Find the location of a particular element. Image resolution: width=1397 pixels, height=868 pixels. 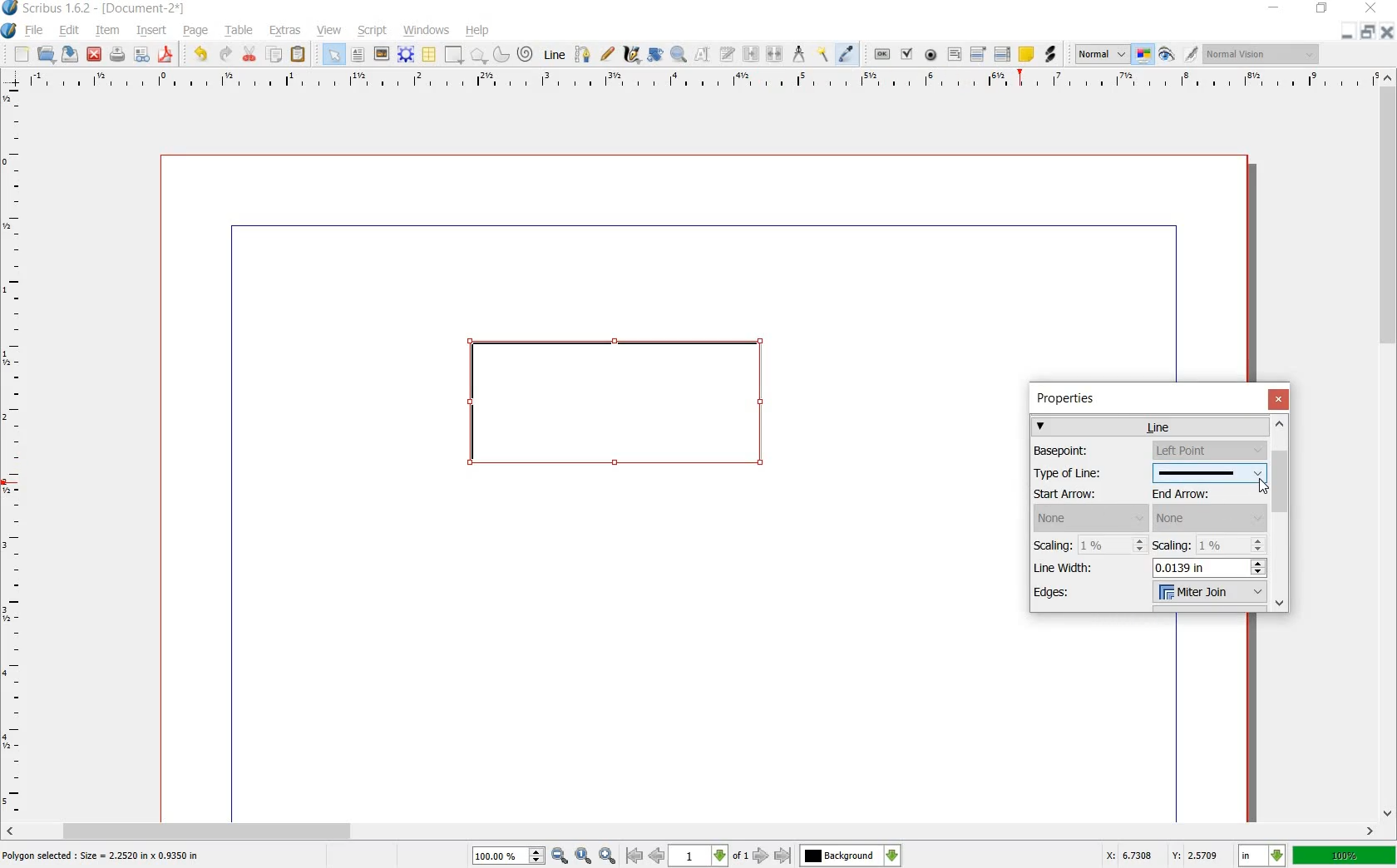

MINIMIZE is located at coordinates (1272, 8).